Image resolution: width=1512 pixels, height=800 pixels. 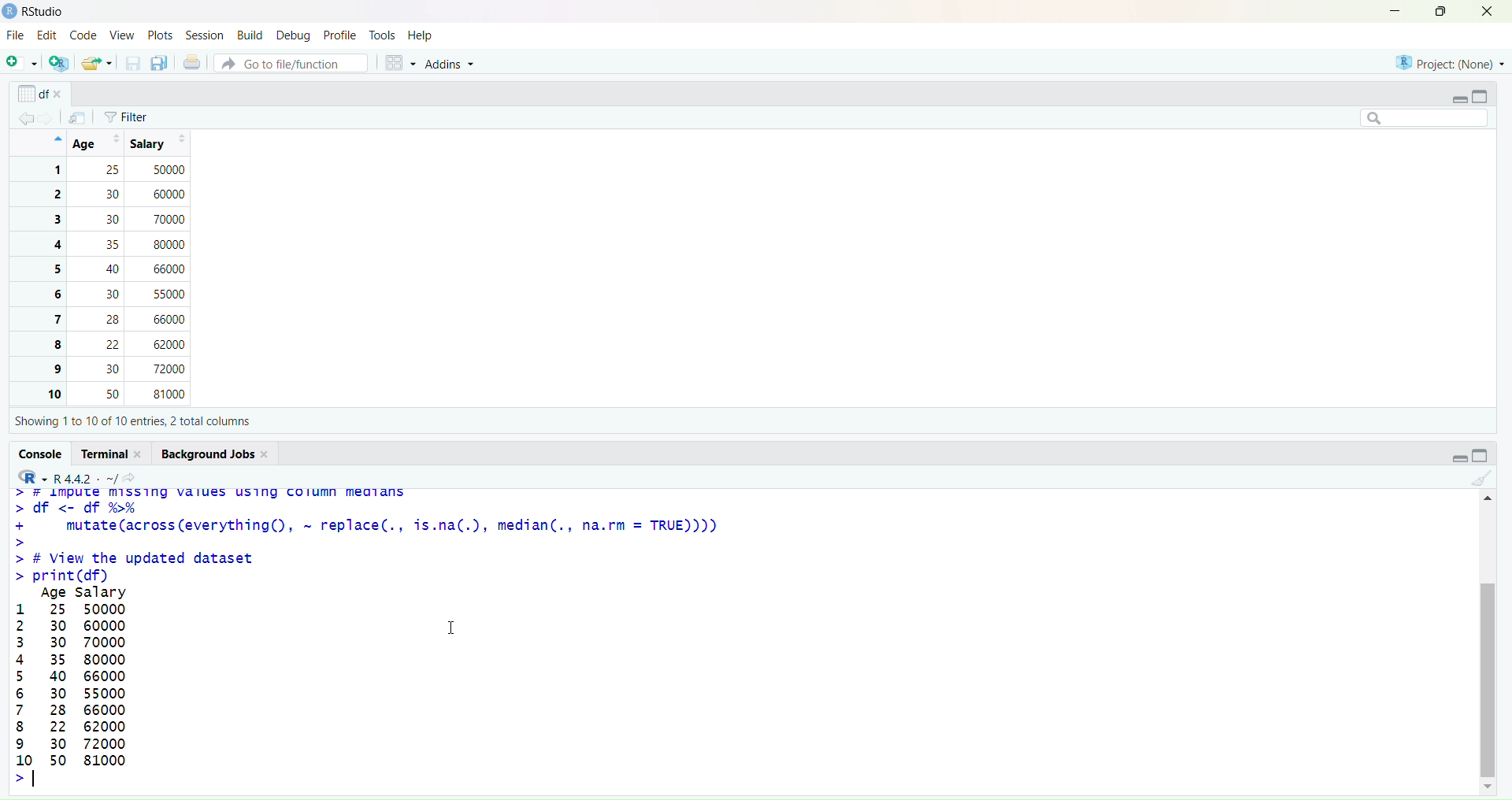 I want to click on session, so click(x=206, y=36).